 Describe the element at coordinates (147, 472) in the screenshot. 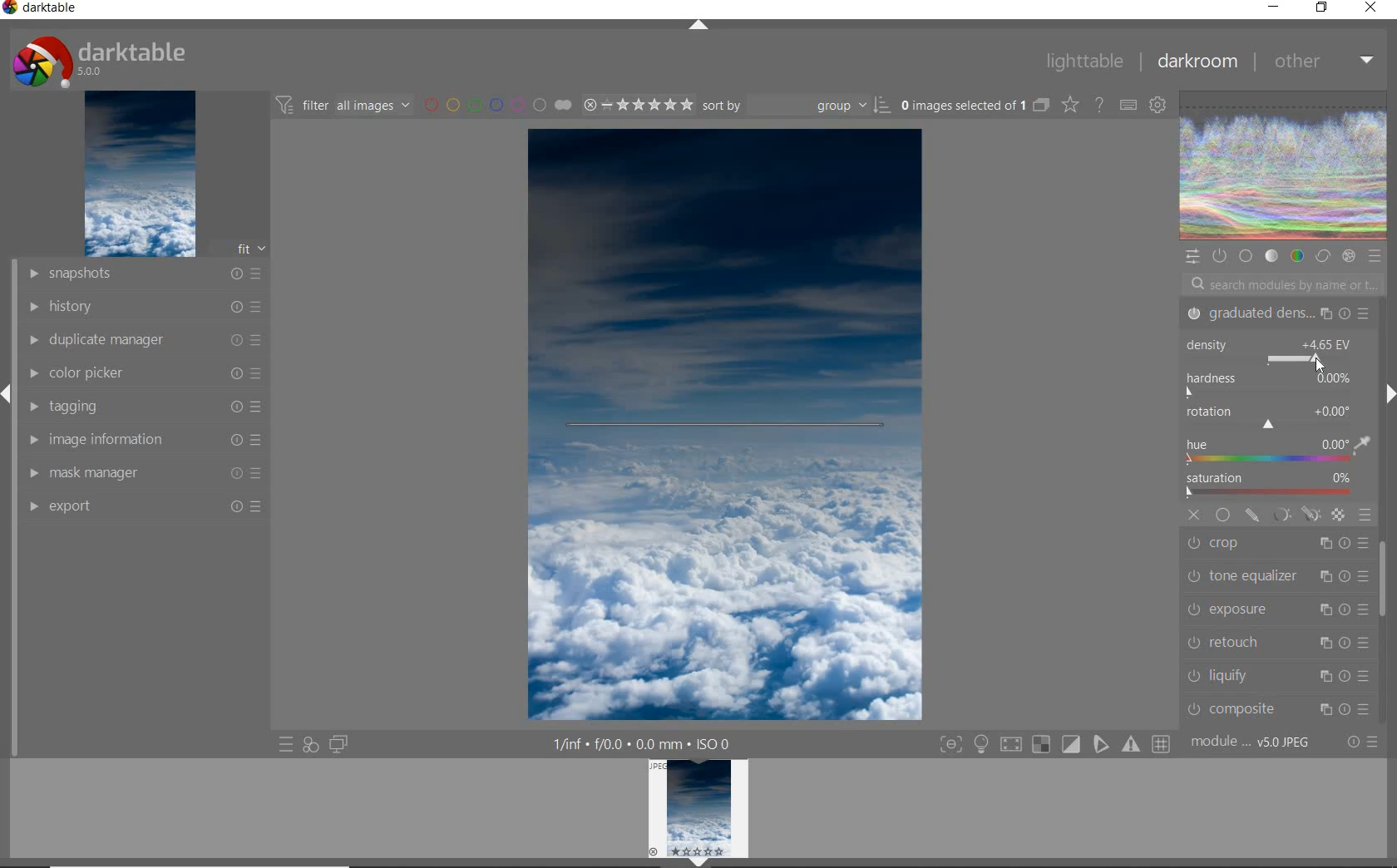

I see `MASK MANAGER` at that location.